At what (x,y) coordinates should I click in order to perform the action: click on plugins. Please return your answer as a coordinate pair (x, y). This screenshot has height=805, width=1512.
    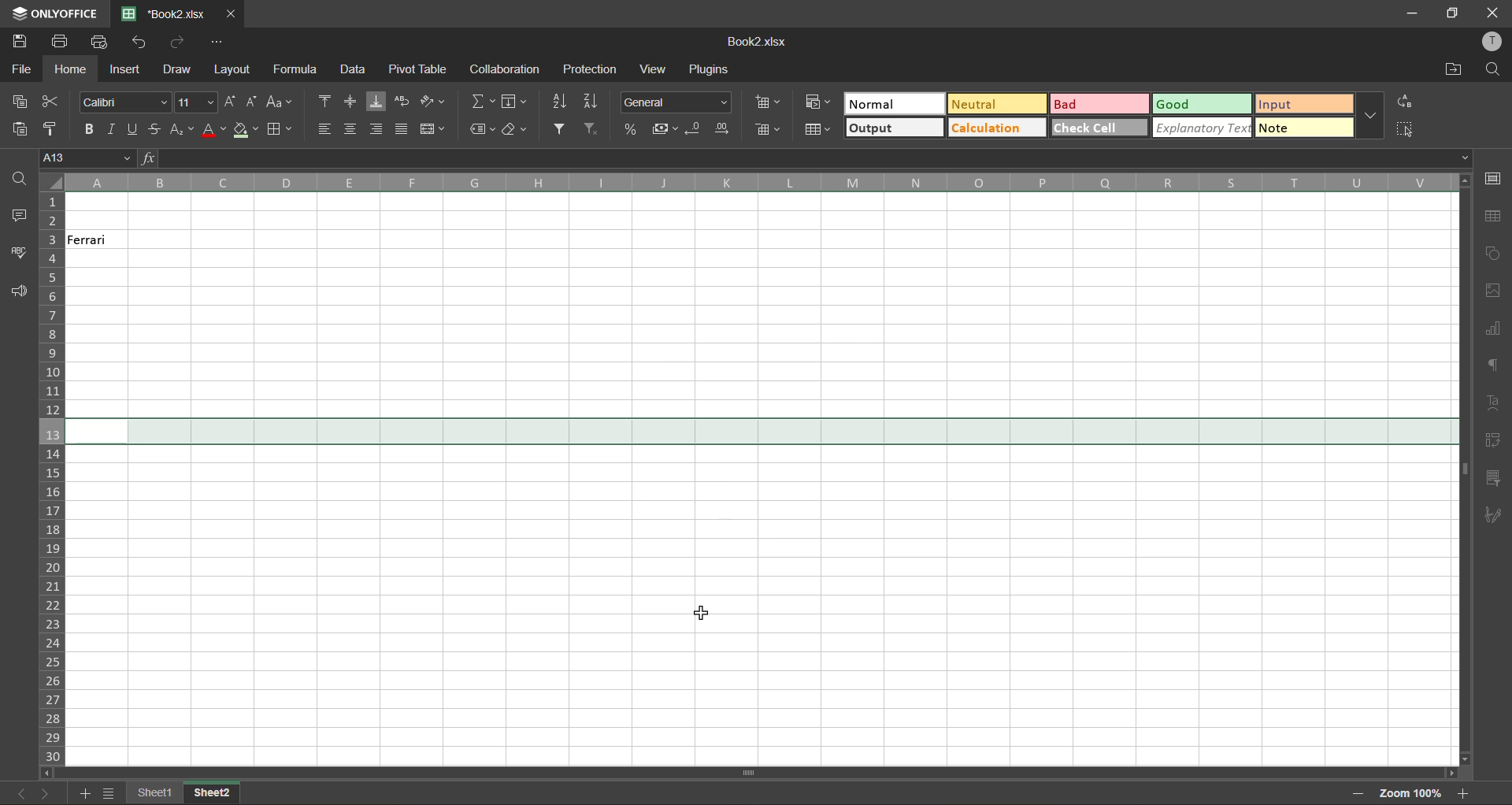
    Looking at the image, I should click on (708, 67).